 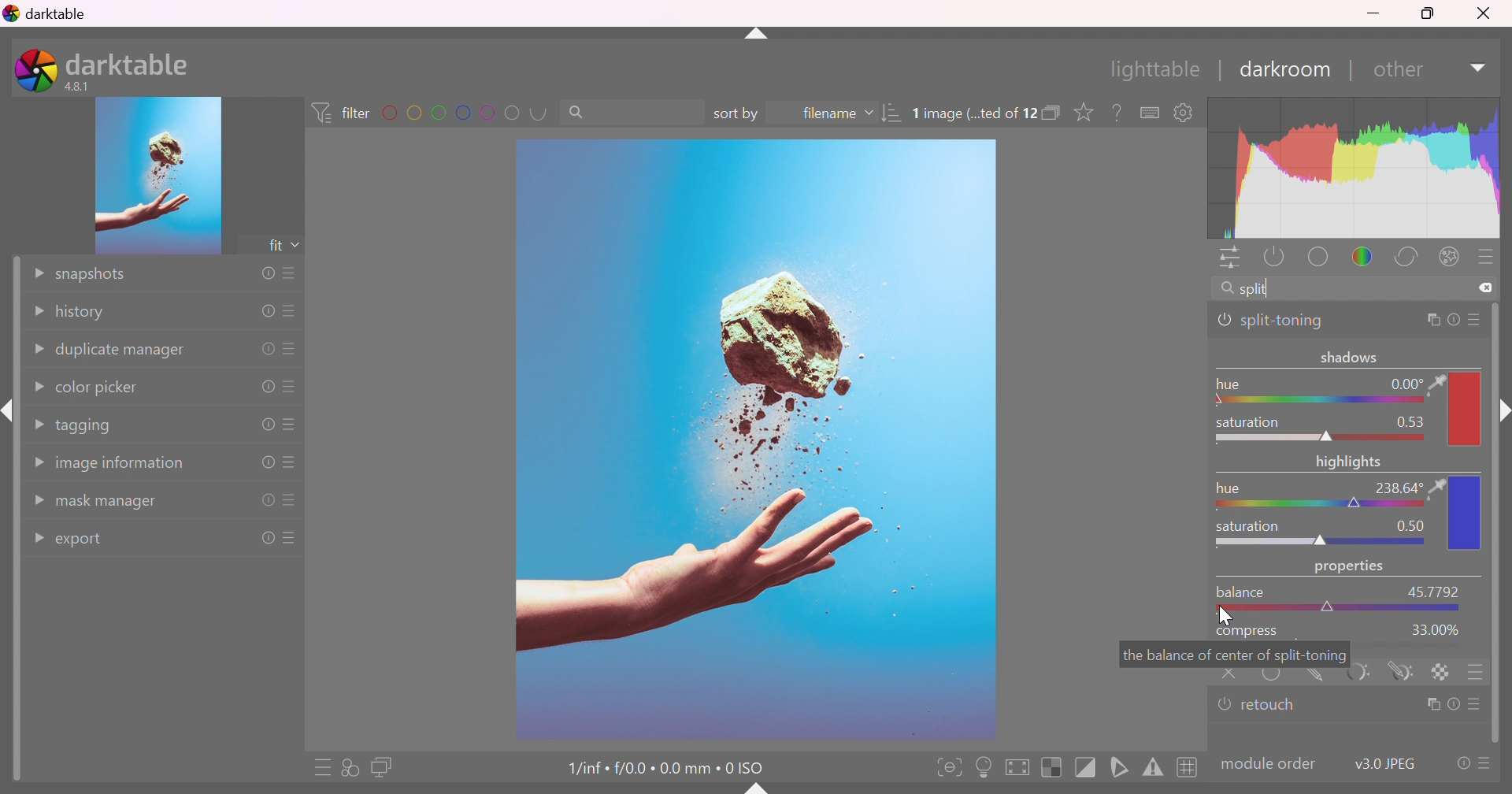 I want to click on Minimize, so click(x=1376, y=13).